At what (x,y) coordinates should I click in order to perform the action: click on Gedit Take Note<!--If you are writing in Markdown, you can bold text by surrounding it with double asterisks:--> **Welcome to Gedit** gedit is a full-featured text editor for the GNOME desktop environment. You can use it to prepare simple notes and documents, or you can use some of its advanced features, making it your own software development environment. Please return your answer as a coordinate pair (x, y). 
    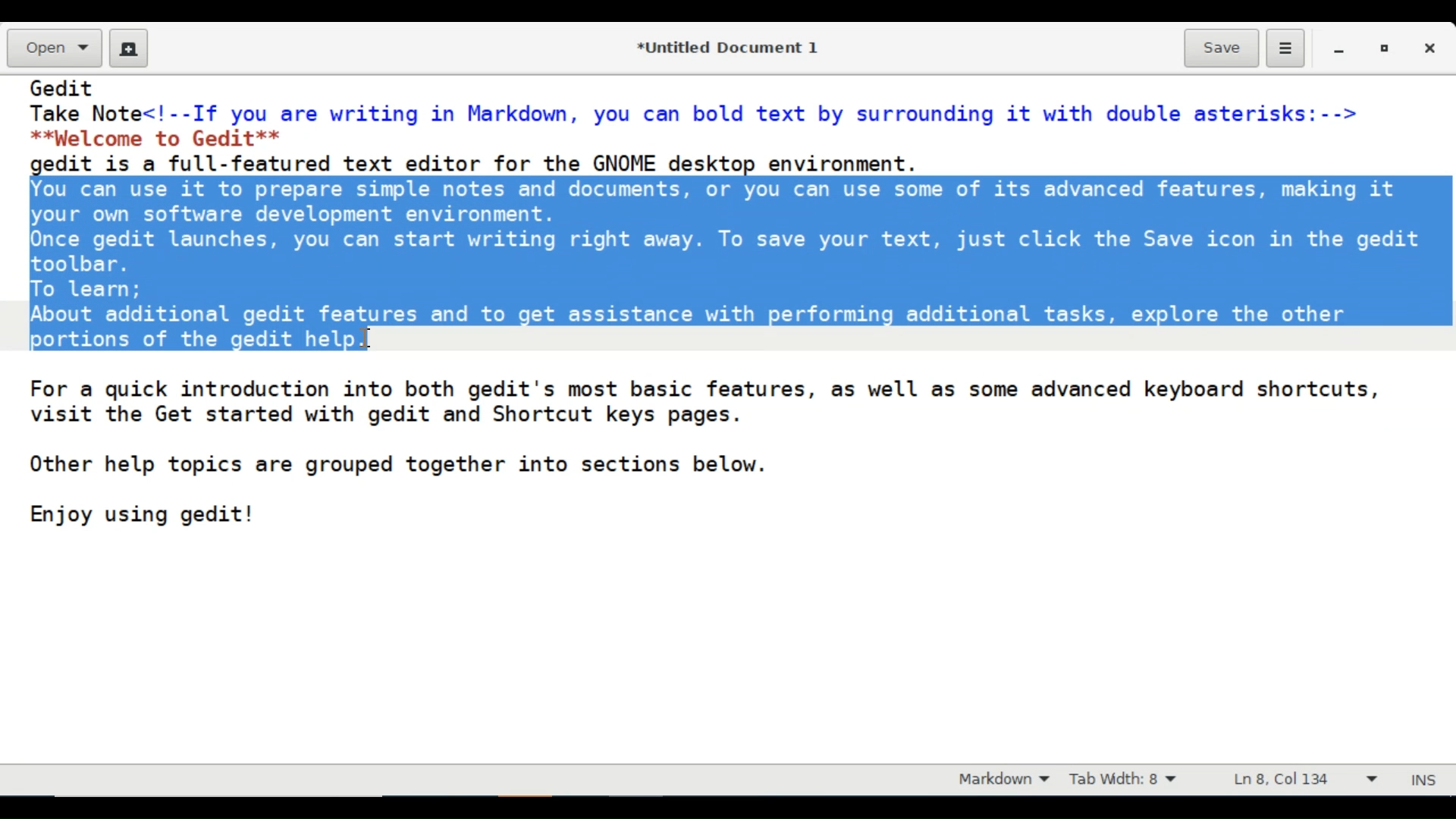
    Looking at the image, I should click on (727, 419).